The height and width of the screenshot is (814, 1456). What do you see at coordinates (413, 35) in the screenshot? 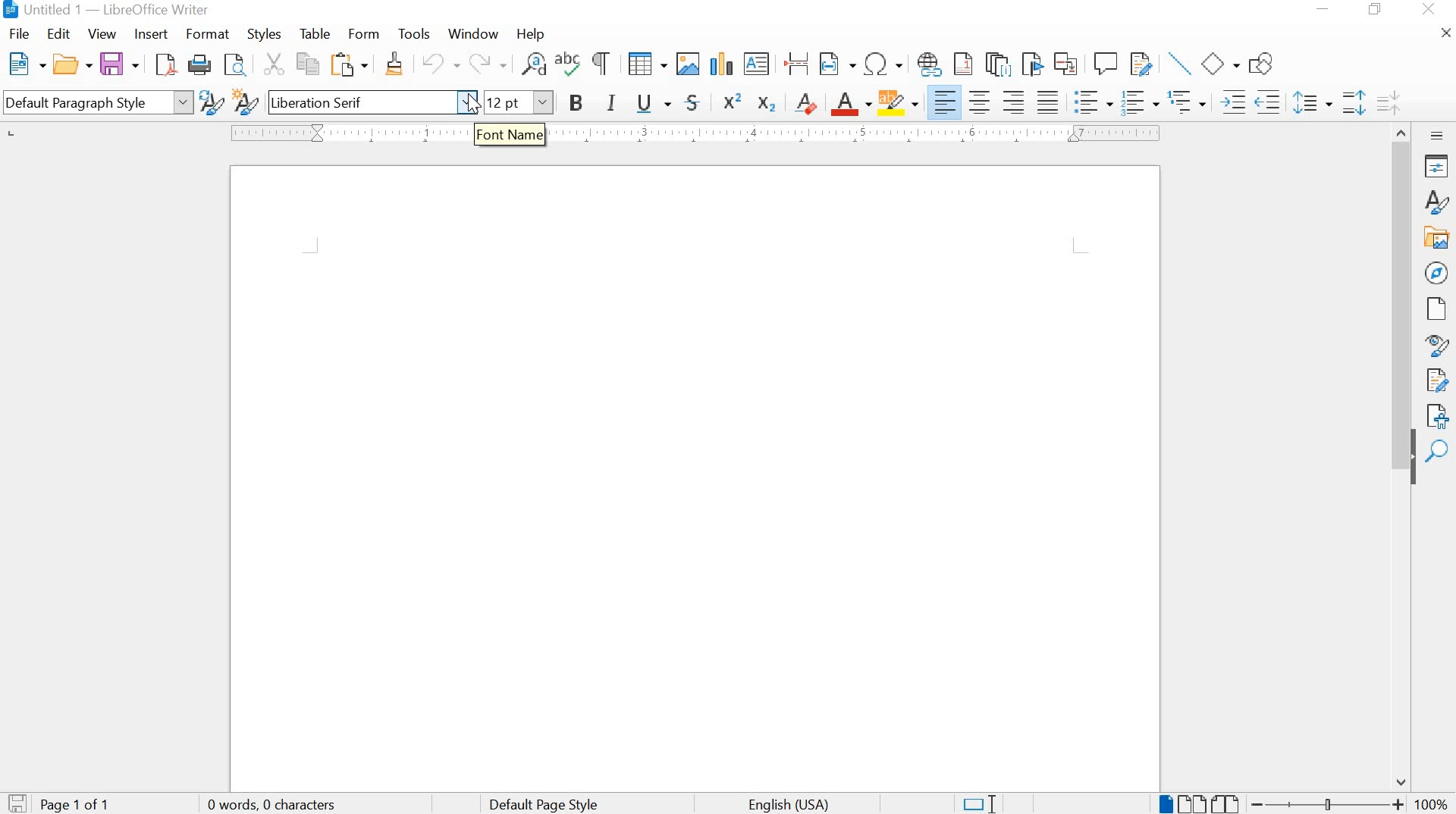
I see `TOOLS` at bounding box center [413, 35].